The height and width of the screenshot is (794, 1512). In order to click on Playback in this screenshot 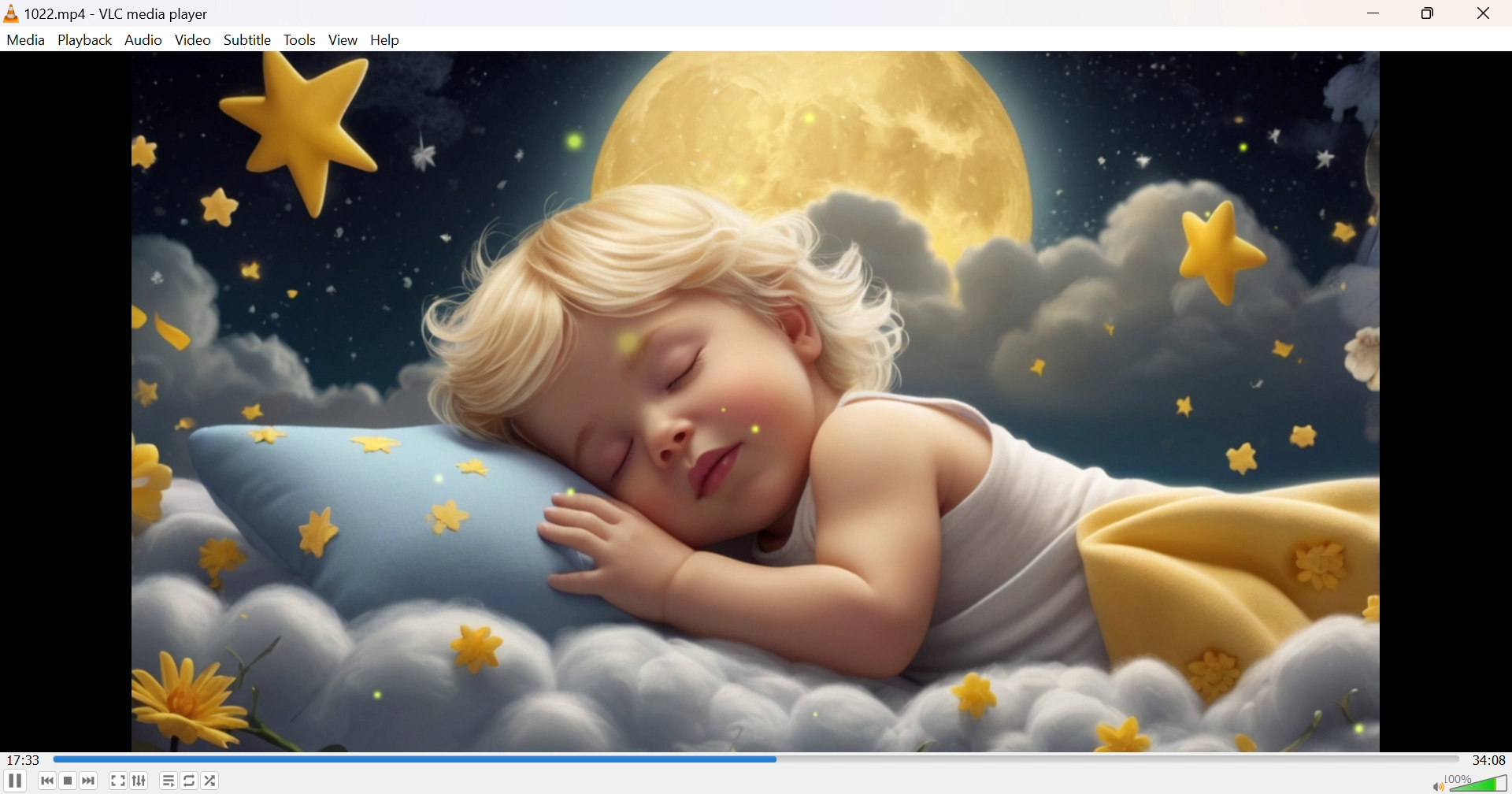, I will do `click(85, 39)`.